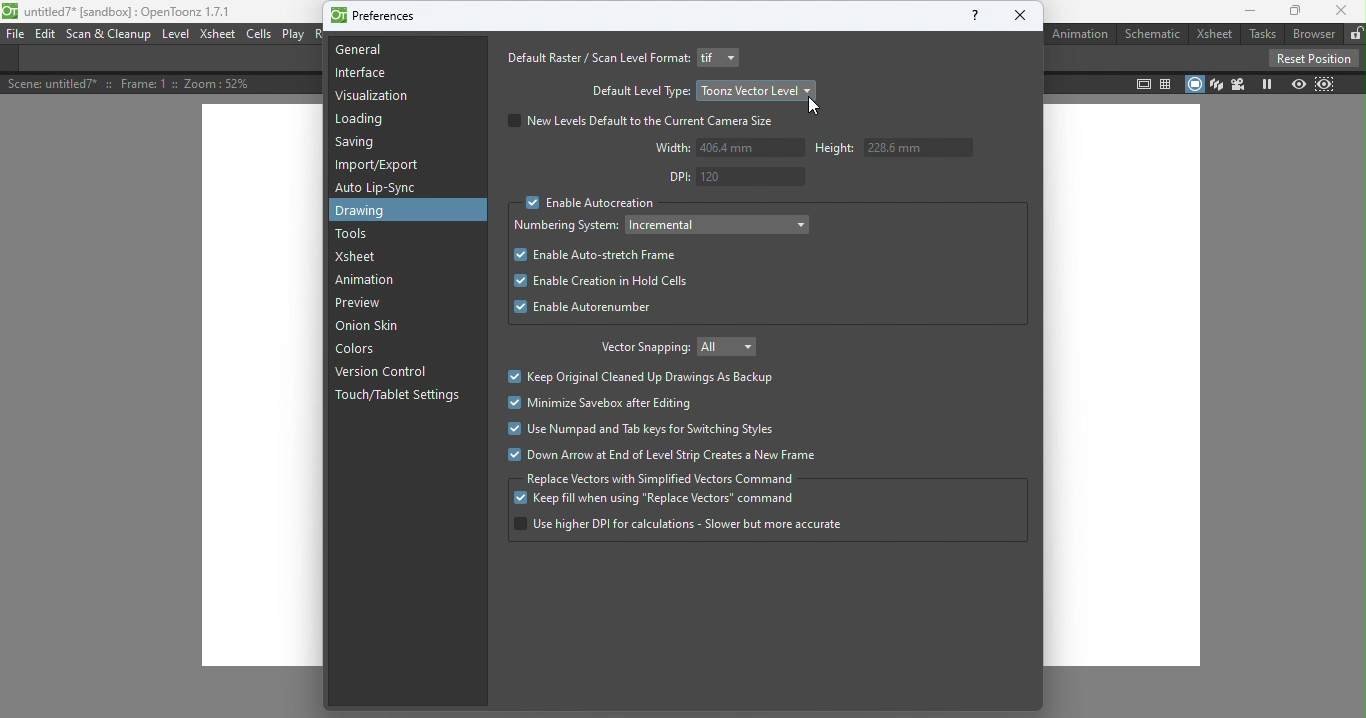 This screenshot has width=1366, height=718. I want to click on Sub-camera preview, so click(1324, 85).